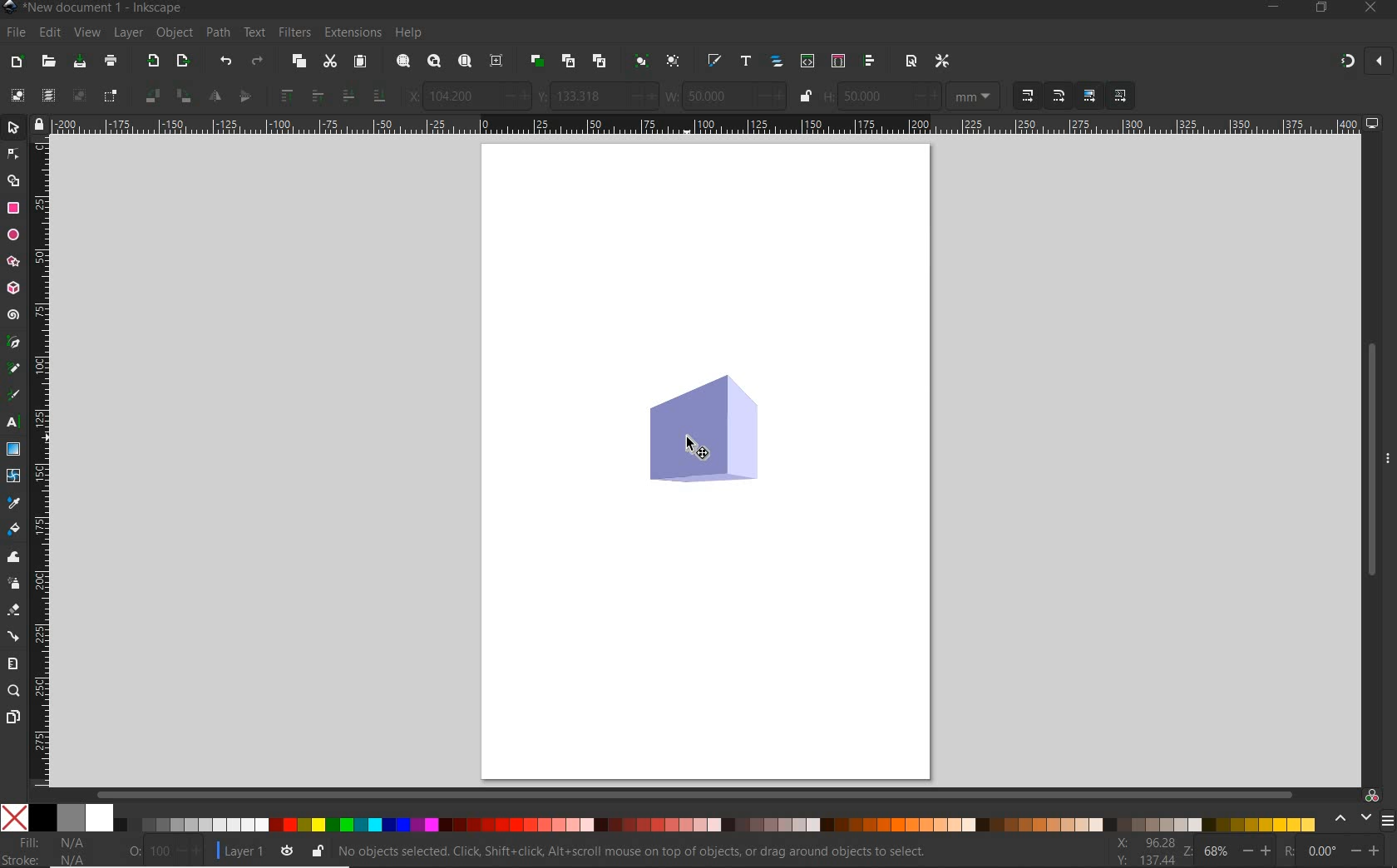 The width and height of the screenshot is (1397, 868). What do you see at coordinates (1118, 96) in the screenshot?
I see `move patterns` at bounding box center [1118, 96].